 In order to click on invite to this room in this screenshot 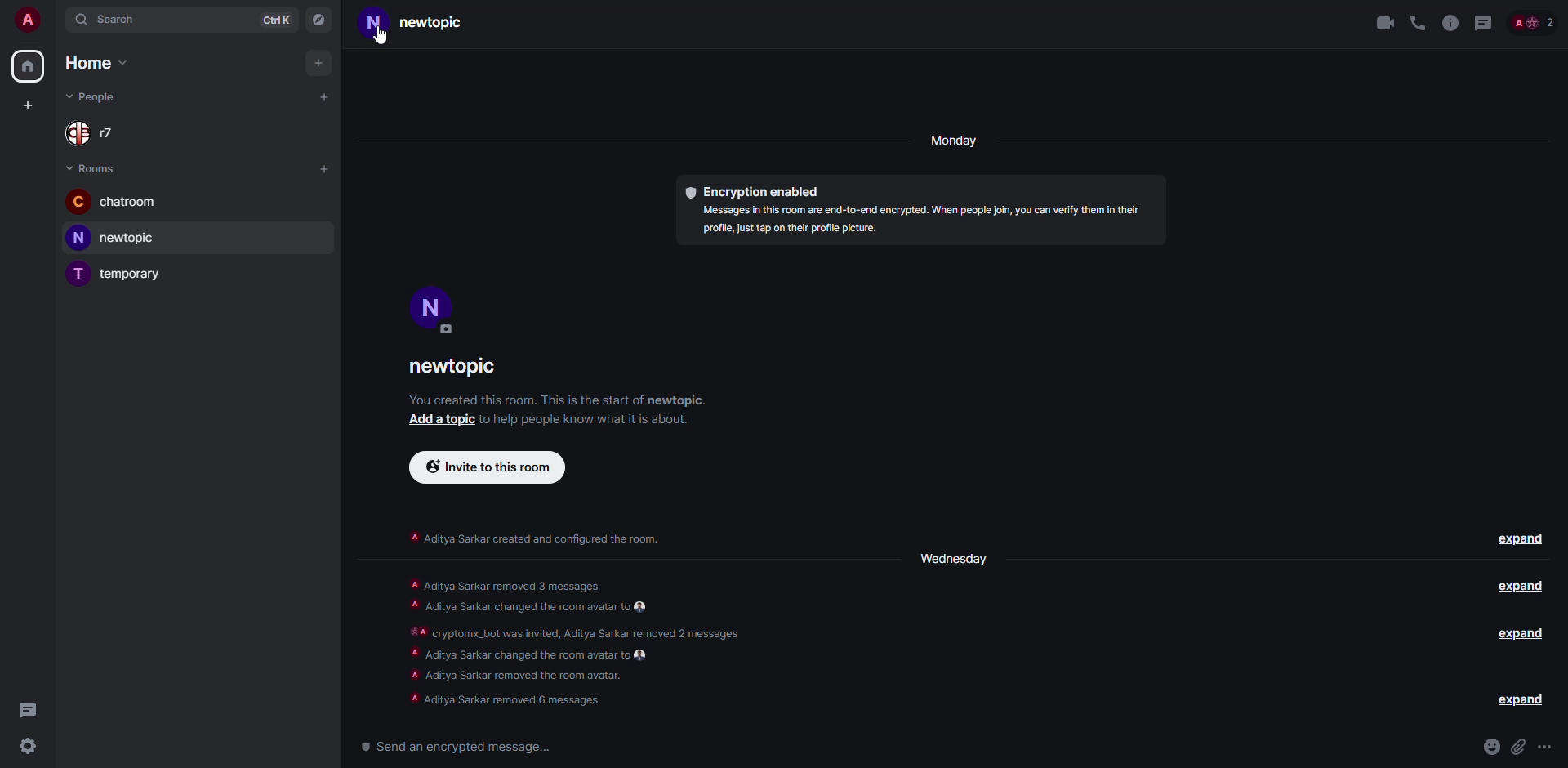, I will do `click(487, 467)`.